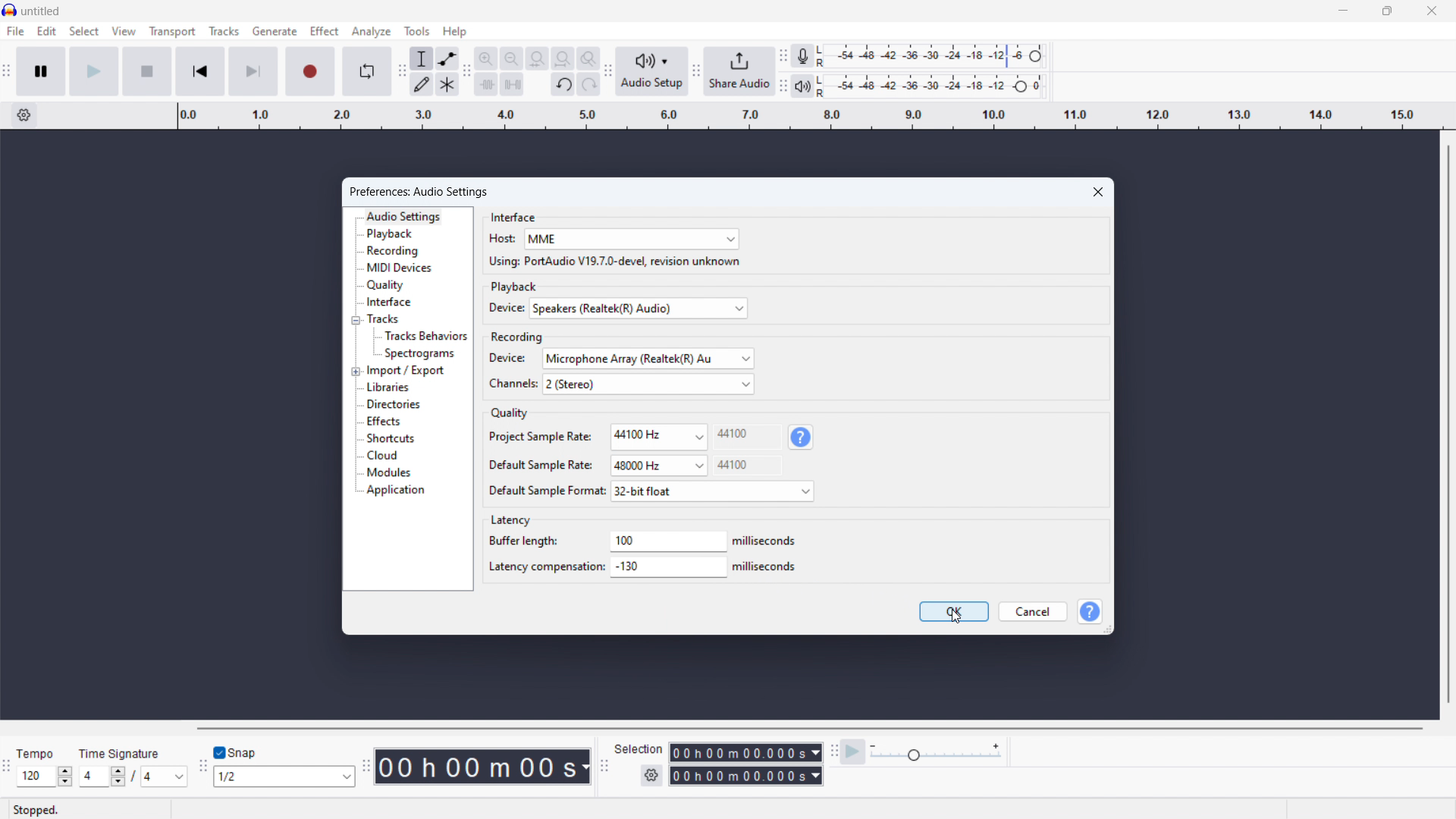 The height and width of the screenshot is (819, 1456). What do you see at coordinates (236, 753) in the screenshot?
I see `toggle snap` at bounding box center [236, 753].